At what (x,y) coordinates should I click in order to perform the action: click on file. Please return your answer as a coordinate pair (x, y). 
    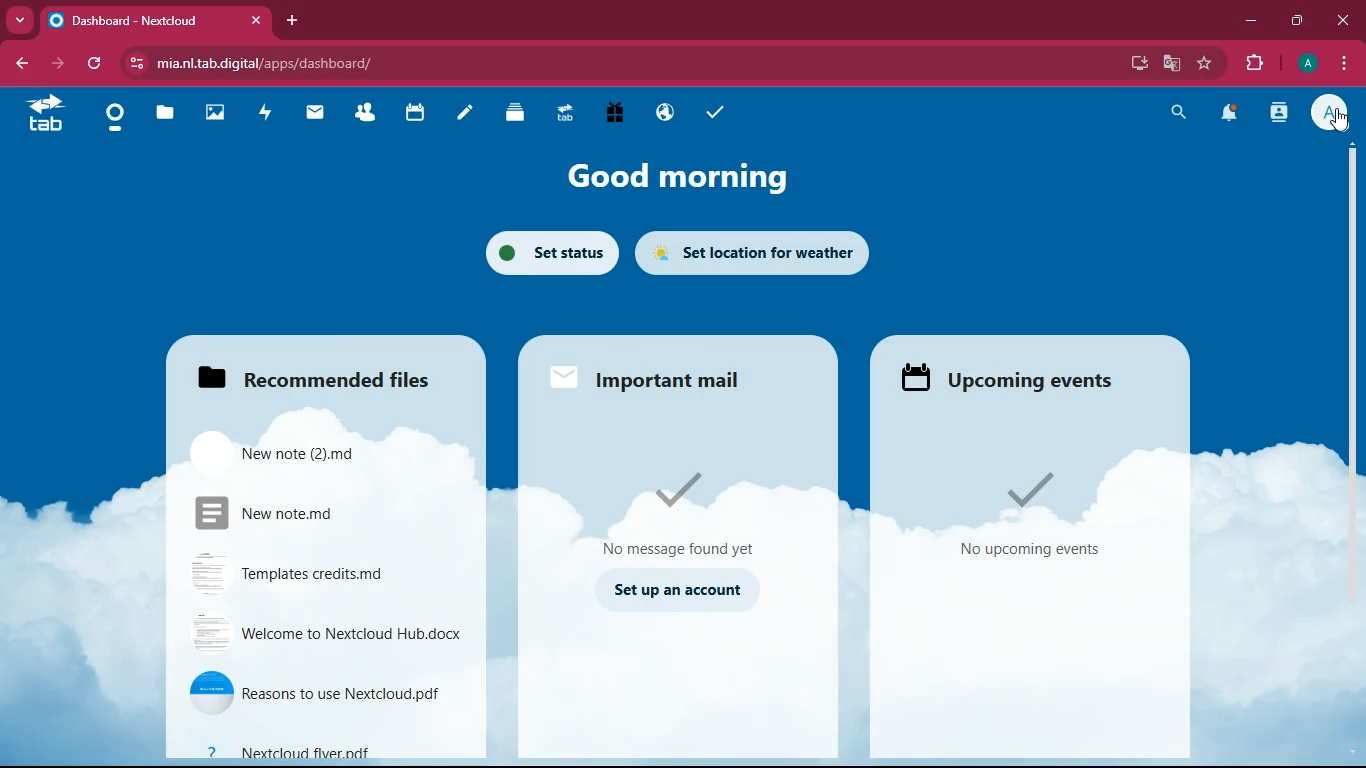
    Looking at the image, I should click on (326, 631).